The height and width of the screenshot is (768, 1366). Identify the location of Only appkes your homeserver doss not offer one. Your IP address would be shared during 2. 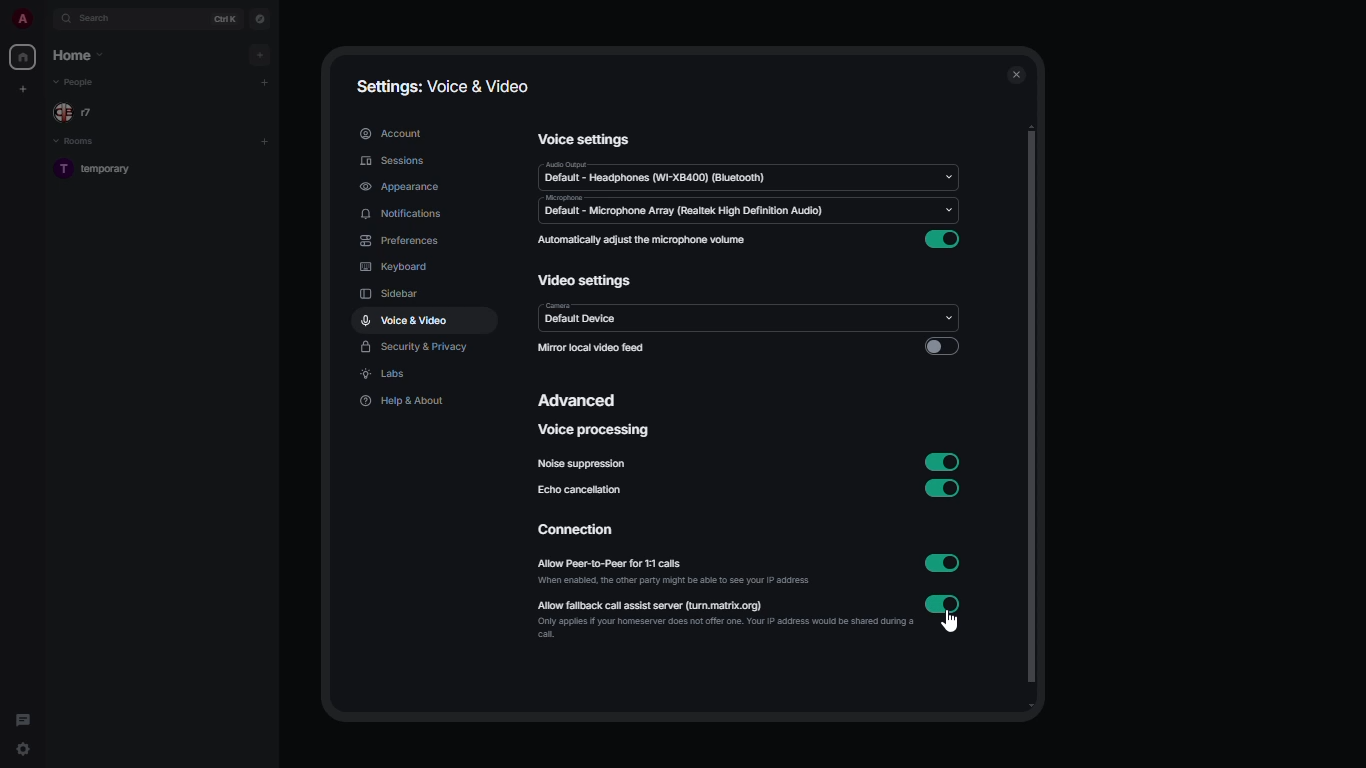
(710, 629).